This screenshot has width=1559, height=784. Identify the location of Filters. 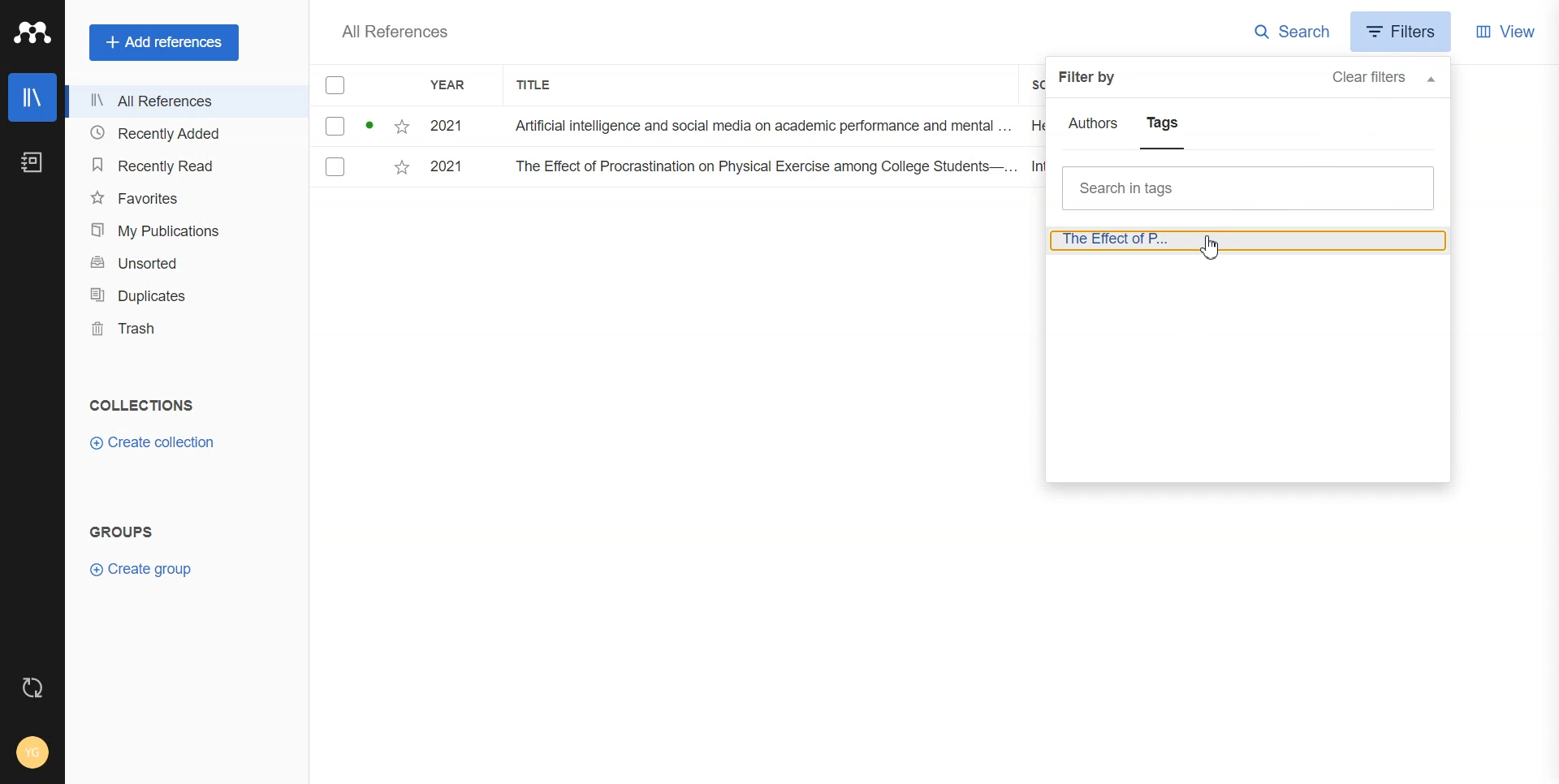
(1401, 35).